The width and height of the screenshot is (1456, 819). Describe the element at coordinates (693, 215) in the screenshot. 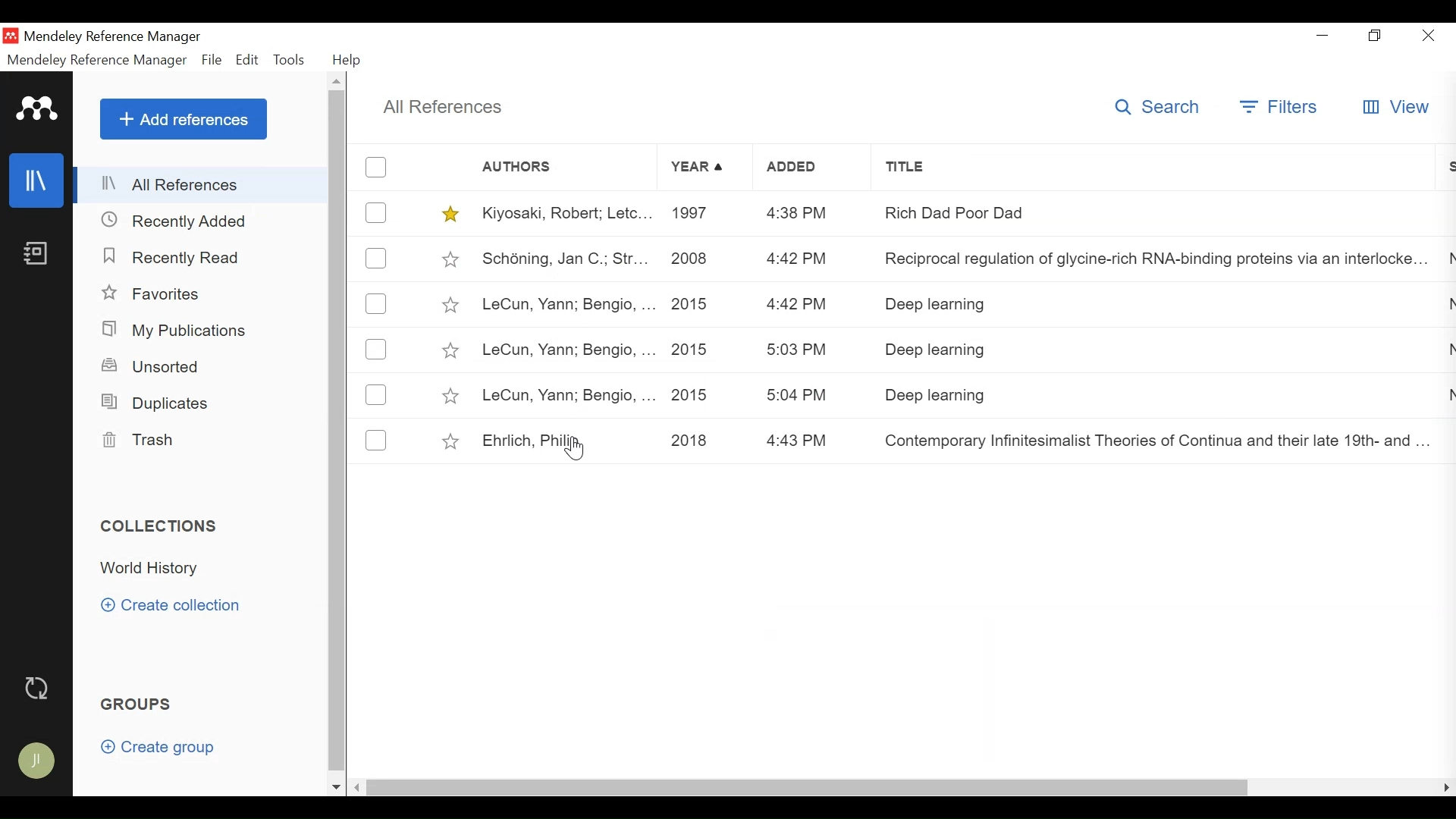

I see `1997` at that location.